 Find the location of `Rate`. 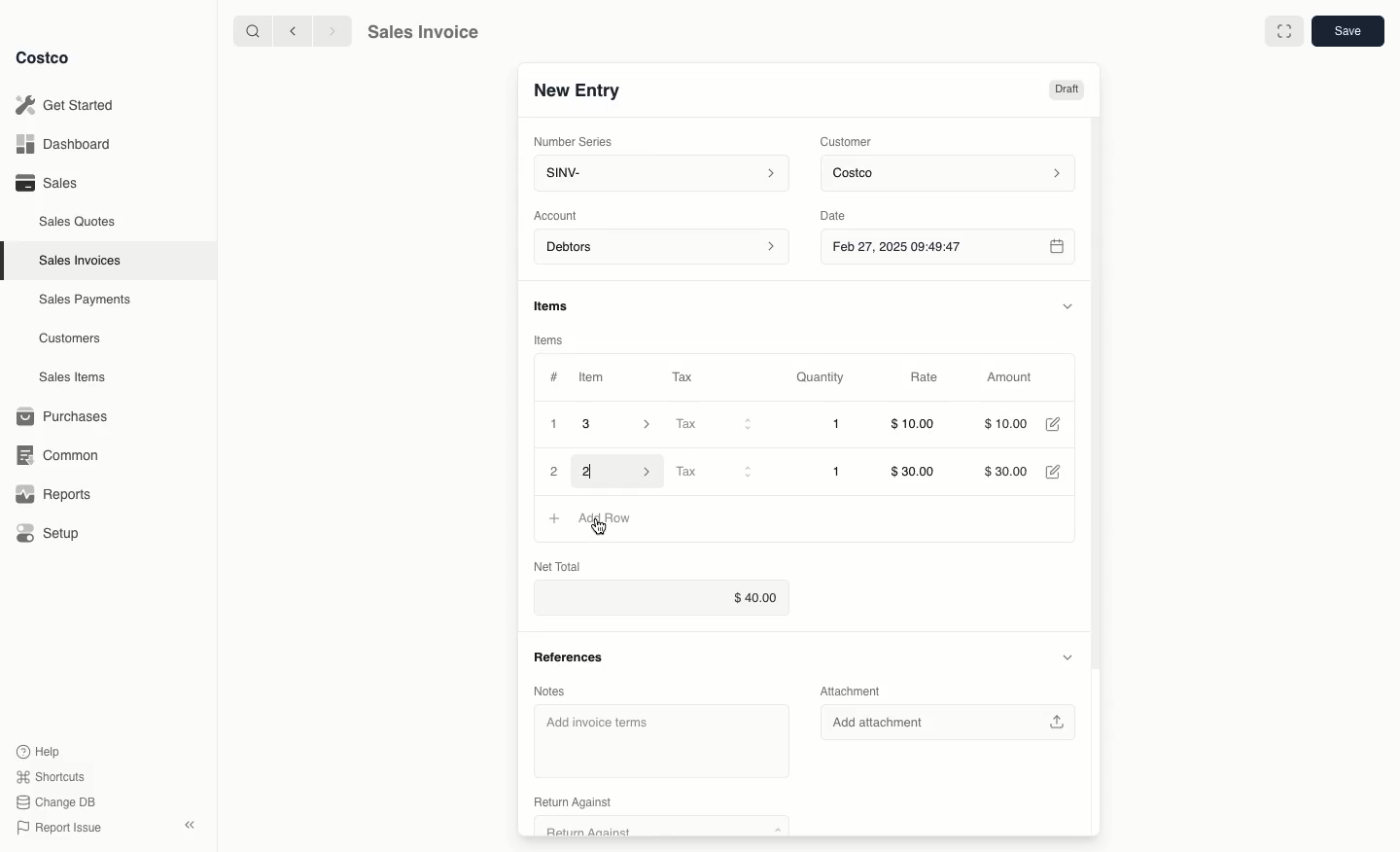

Rate is located at coordinates (926, 378).